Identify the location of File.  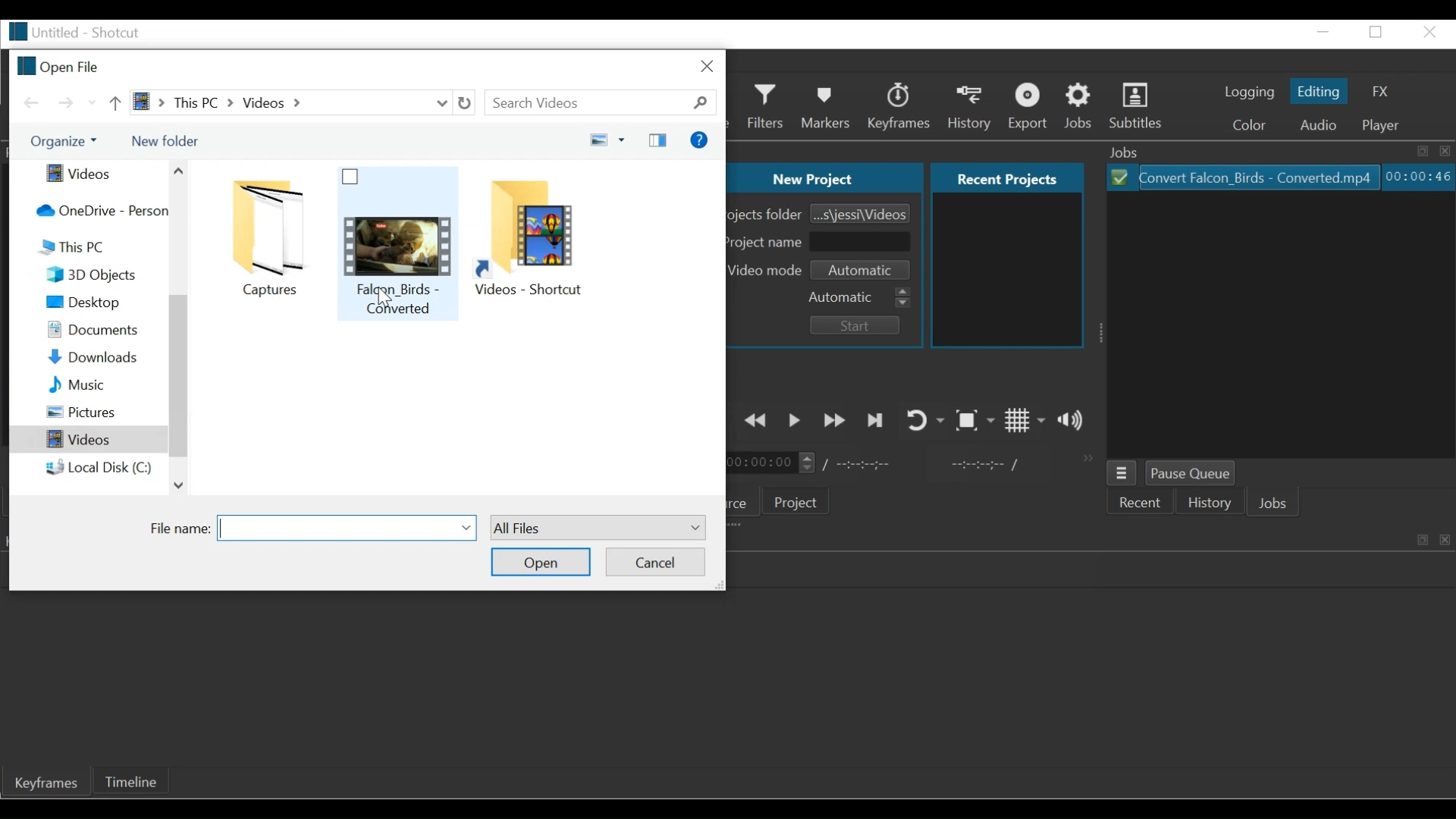
(1246, 176).